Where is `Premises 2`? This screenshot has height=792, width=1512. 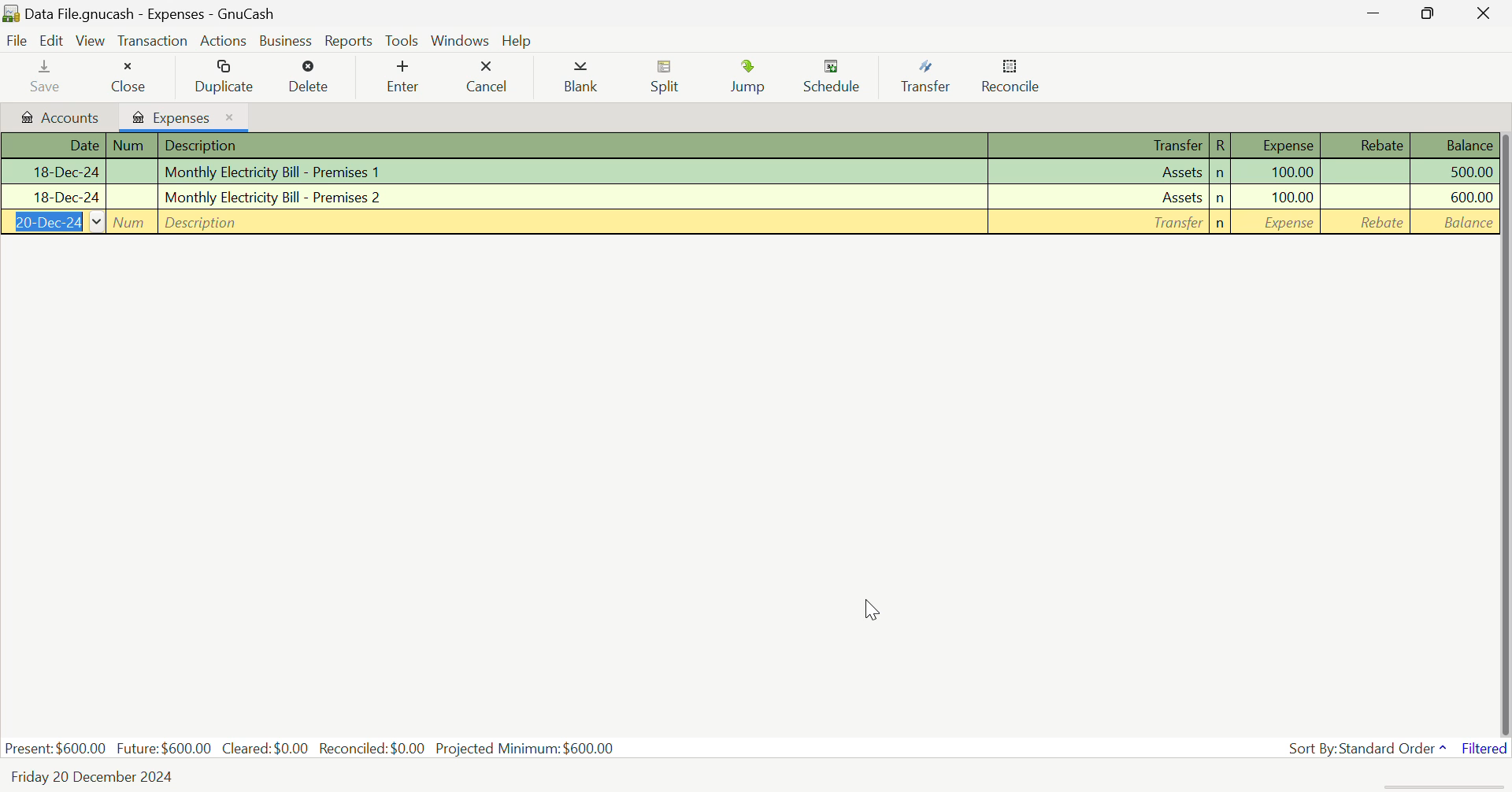
Premises 2 is located at coordinates (573, 198).